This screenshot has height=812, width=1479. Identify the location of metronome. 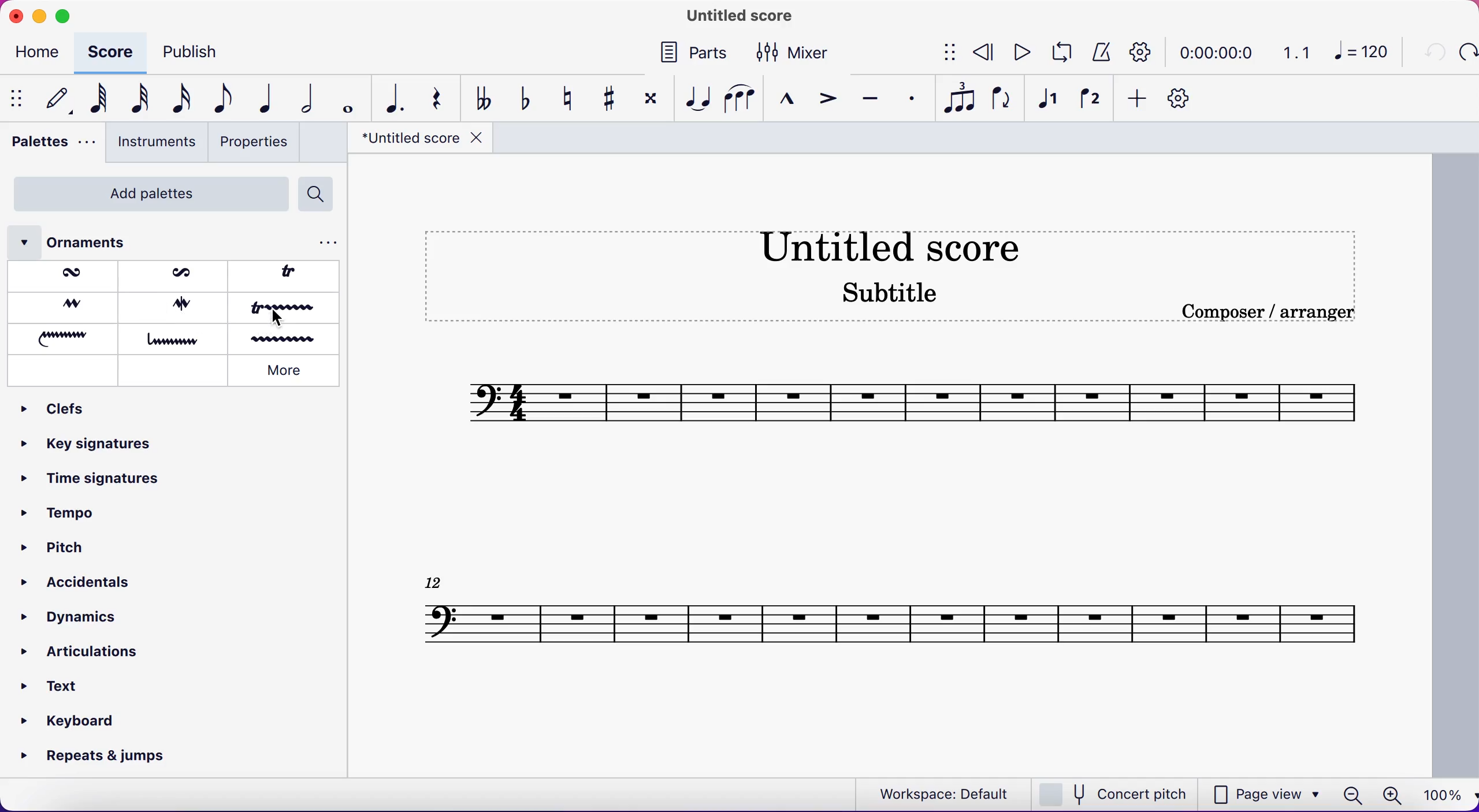
(1100, 53).